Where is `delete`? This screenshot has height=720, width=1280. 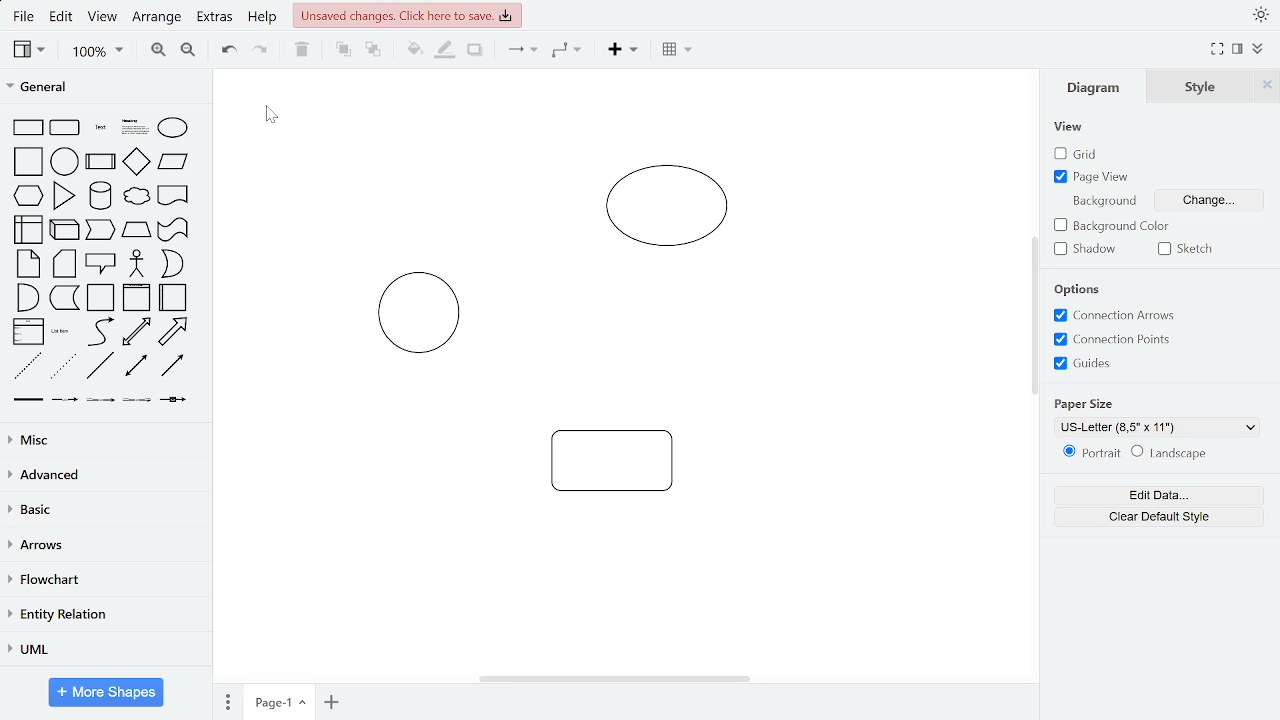
delete is located at coordinates (305, 51).